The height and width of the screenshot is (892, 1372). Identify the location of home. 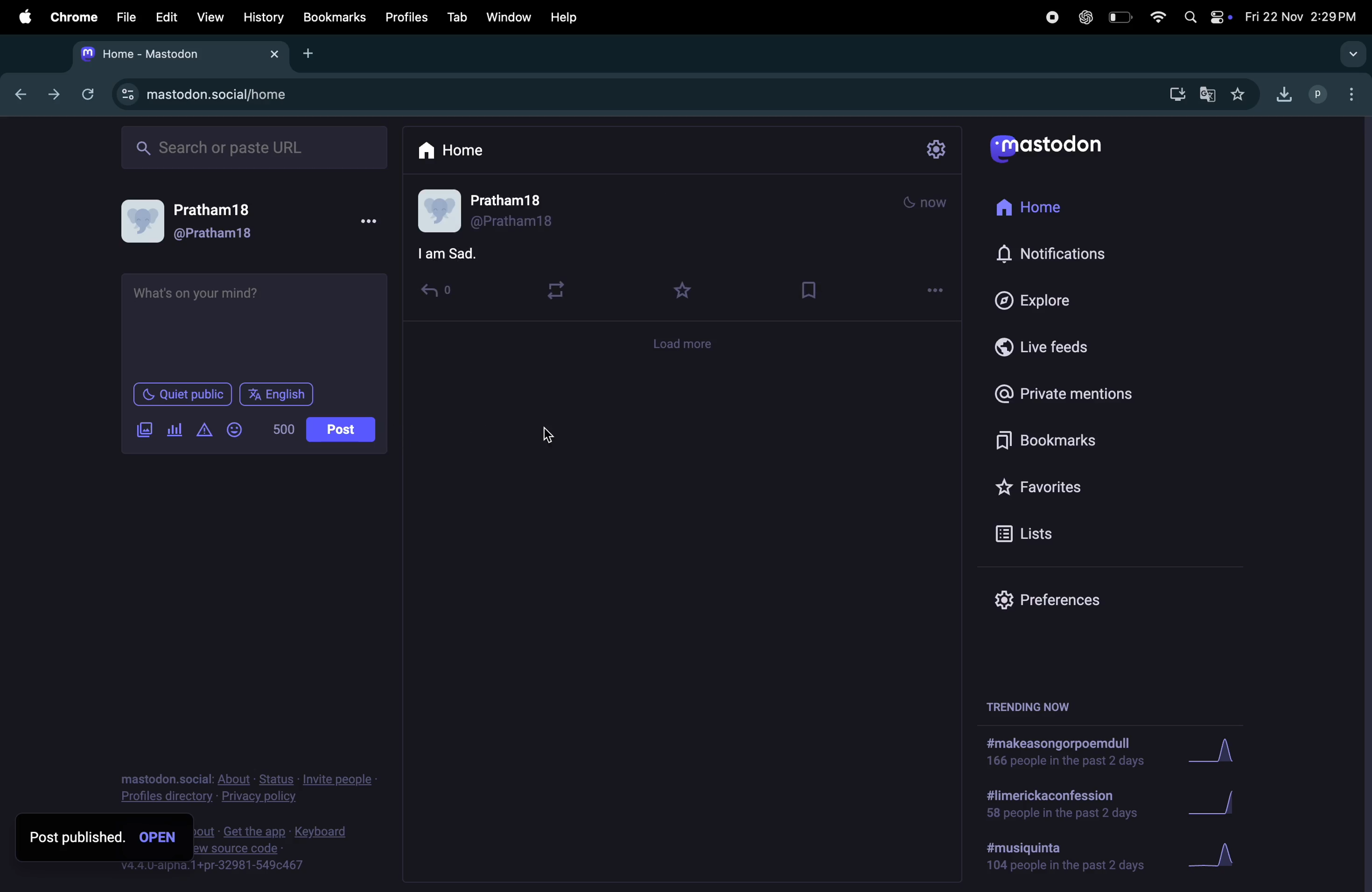
(454, 152).